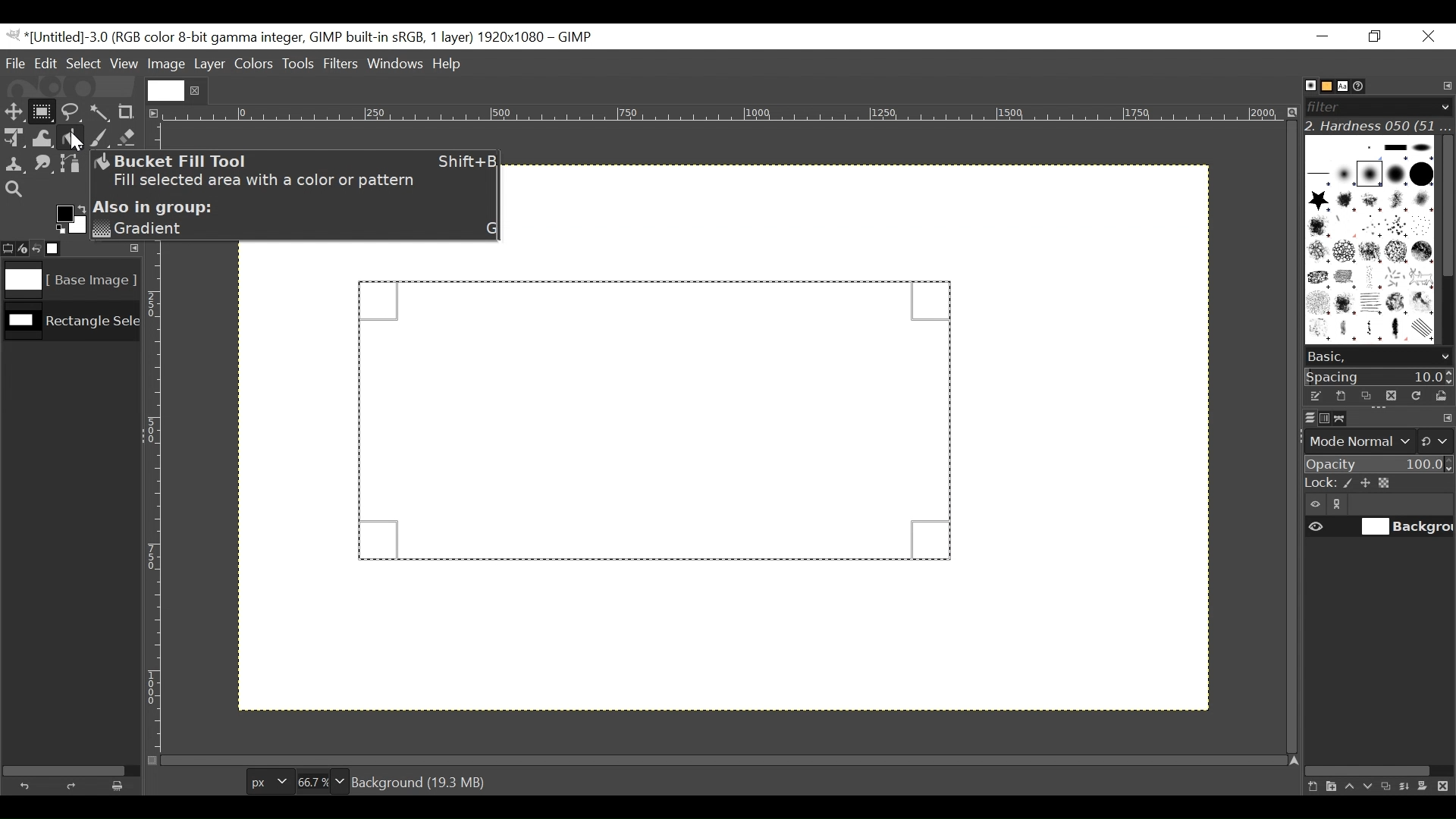 This screenshot has width=1456, height=819. What do you see at coordinates (1445, 357) in the screenshot?
I see `scroll down` at bounding box center [1445, 357].